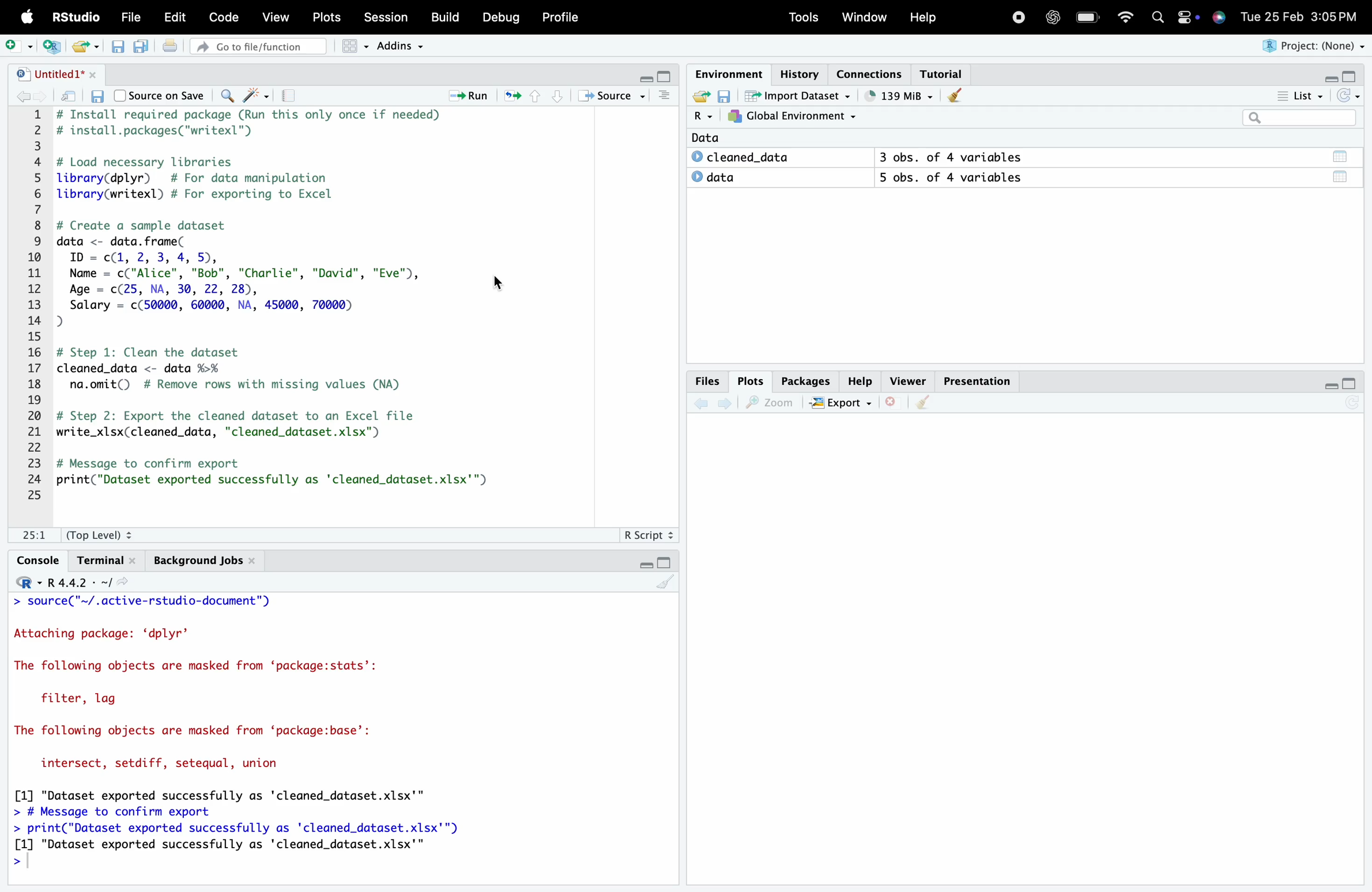 The height and width of the screenshot is (892, 1372). I want to click on View, so click(278, 16).